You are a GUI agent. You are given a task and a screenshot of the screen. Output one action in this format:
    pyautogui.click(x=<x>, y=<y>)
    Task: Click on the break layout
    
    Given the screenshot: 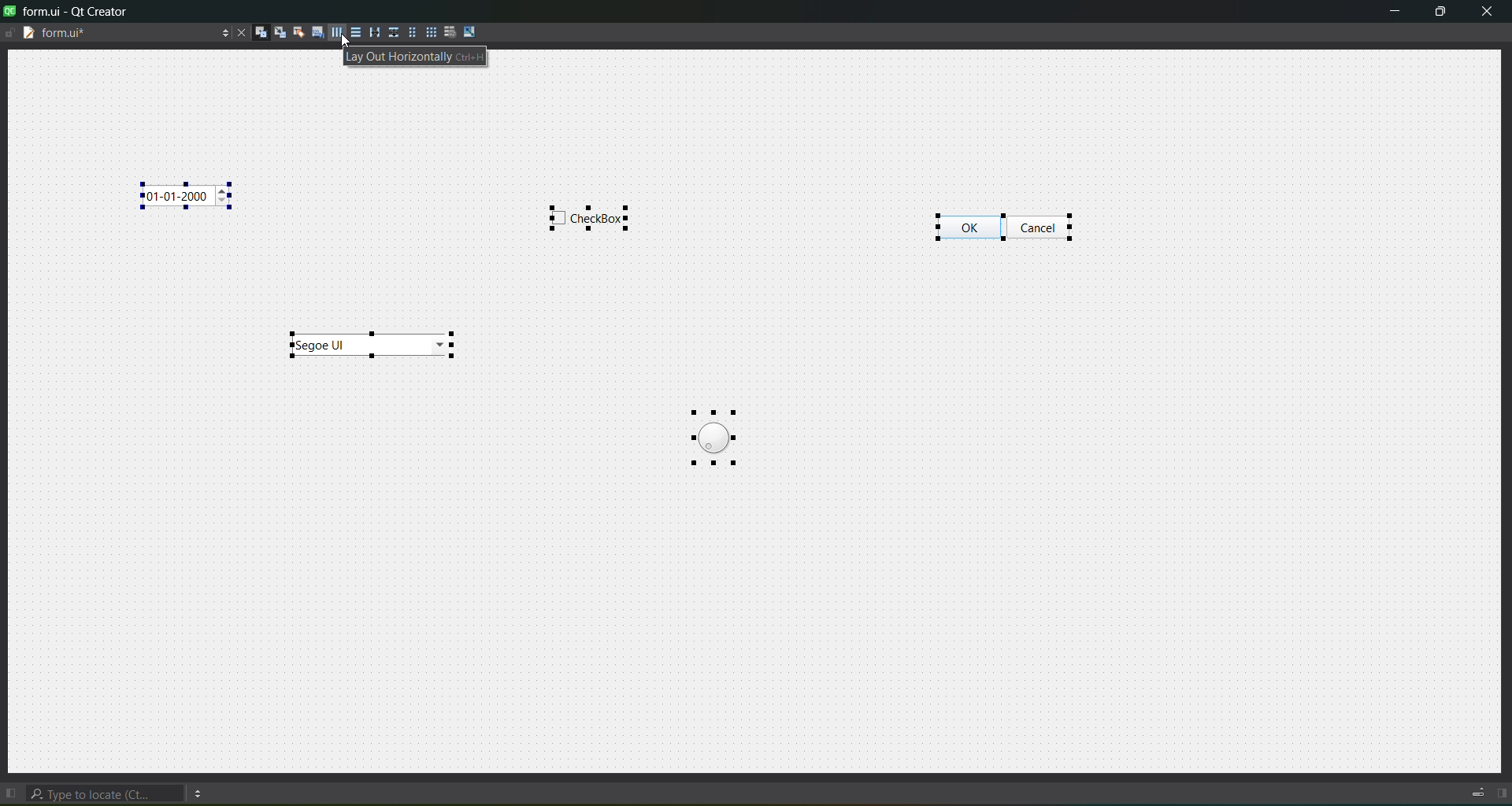 What is the action you would take?
    pyautogui.click(x=447, y=32)
    